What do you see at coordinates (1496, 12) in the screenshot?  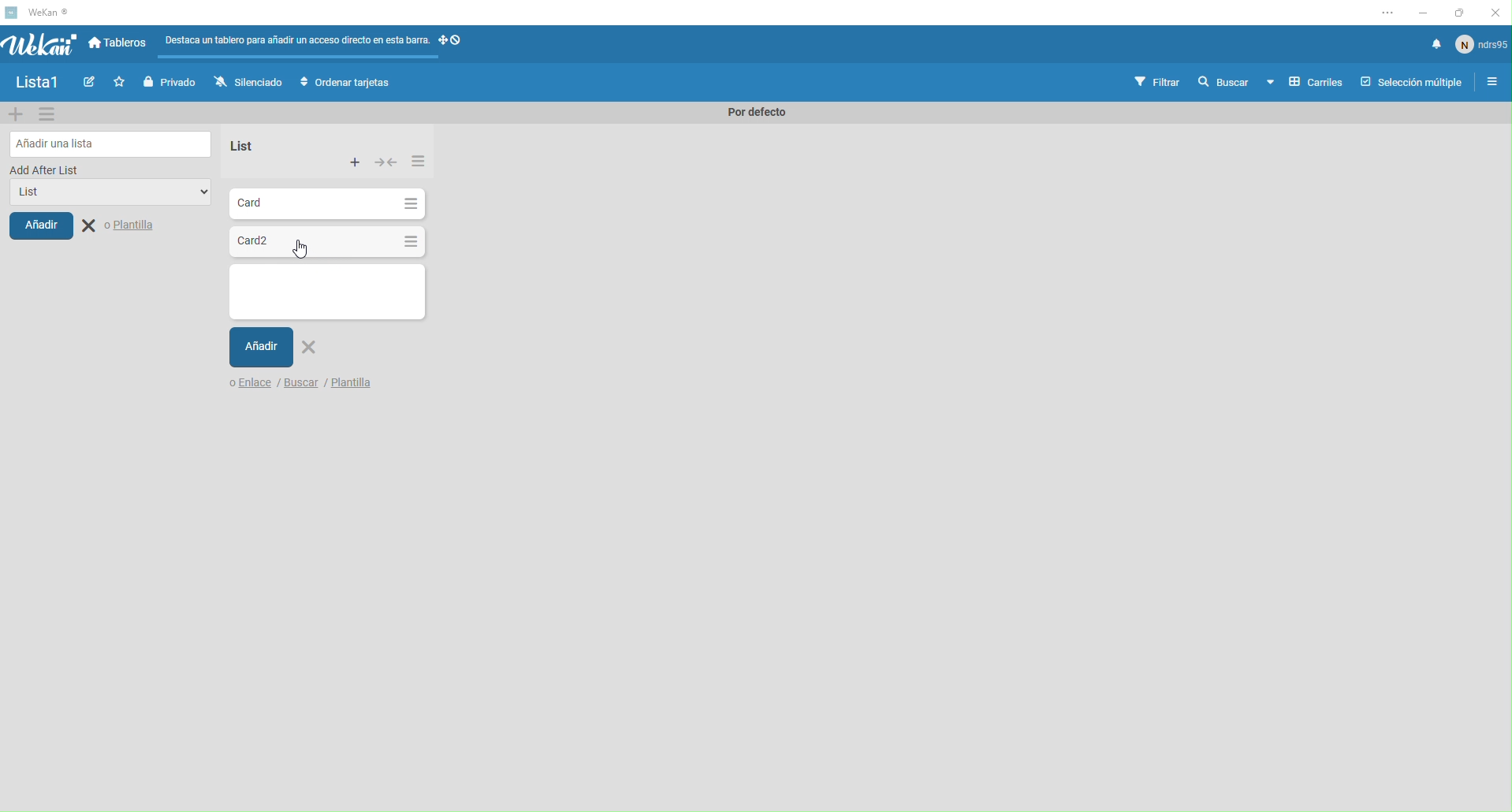 I see `close` at bounding box center [1496, 12].